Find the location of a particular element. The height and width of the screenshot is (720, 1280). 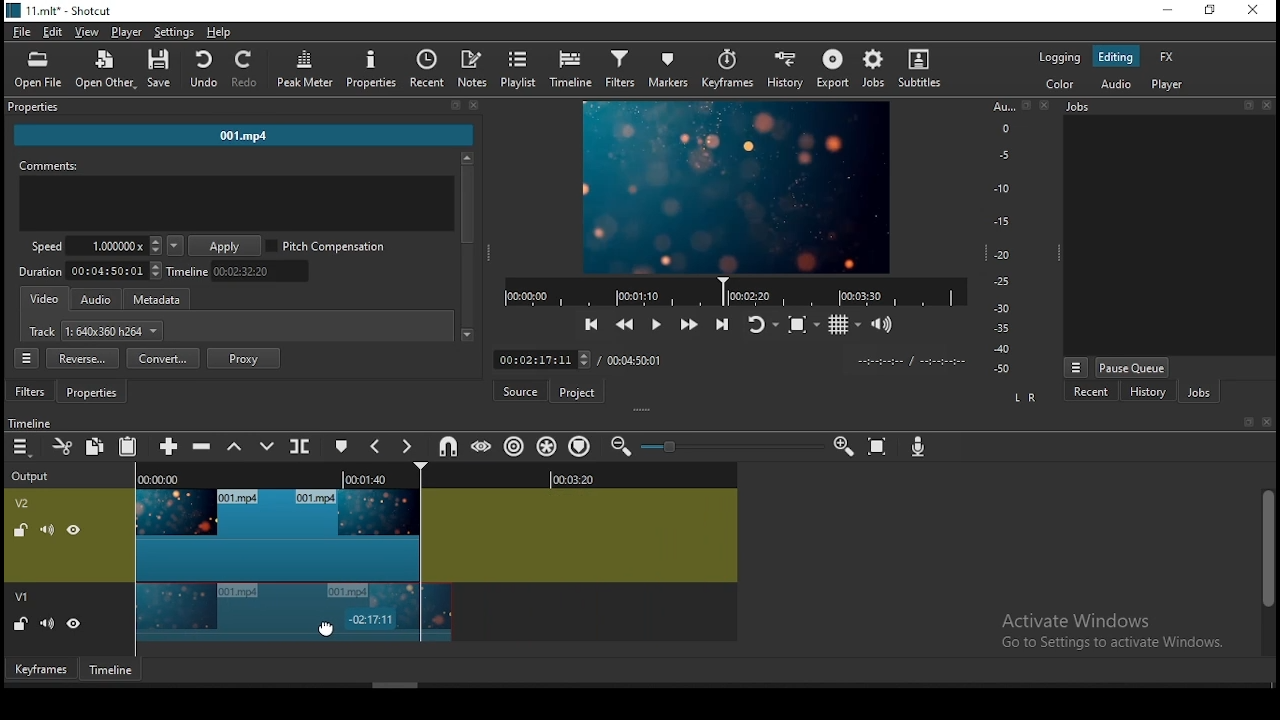

timeline is located at coordinates (113, 669).